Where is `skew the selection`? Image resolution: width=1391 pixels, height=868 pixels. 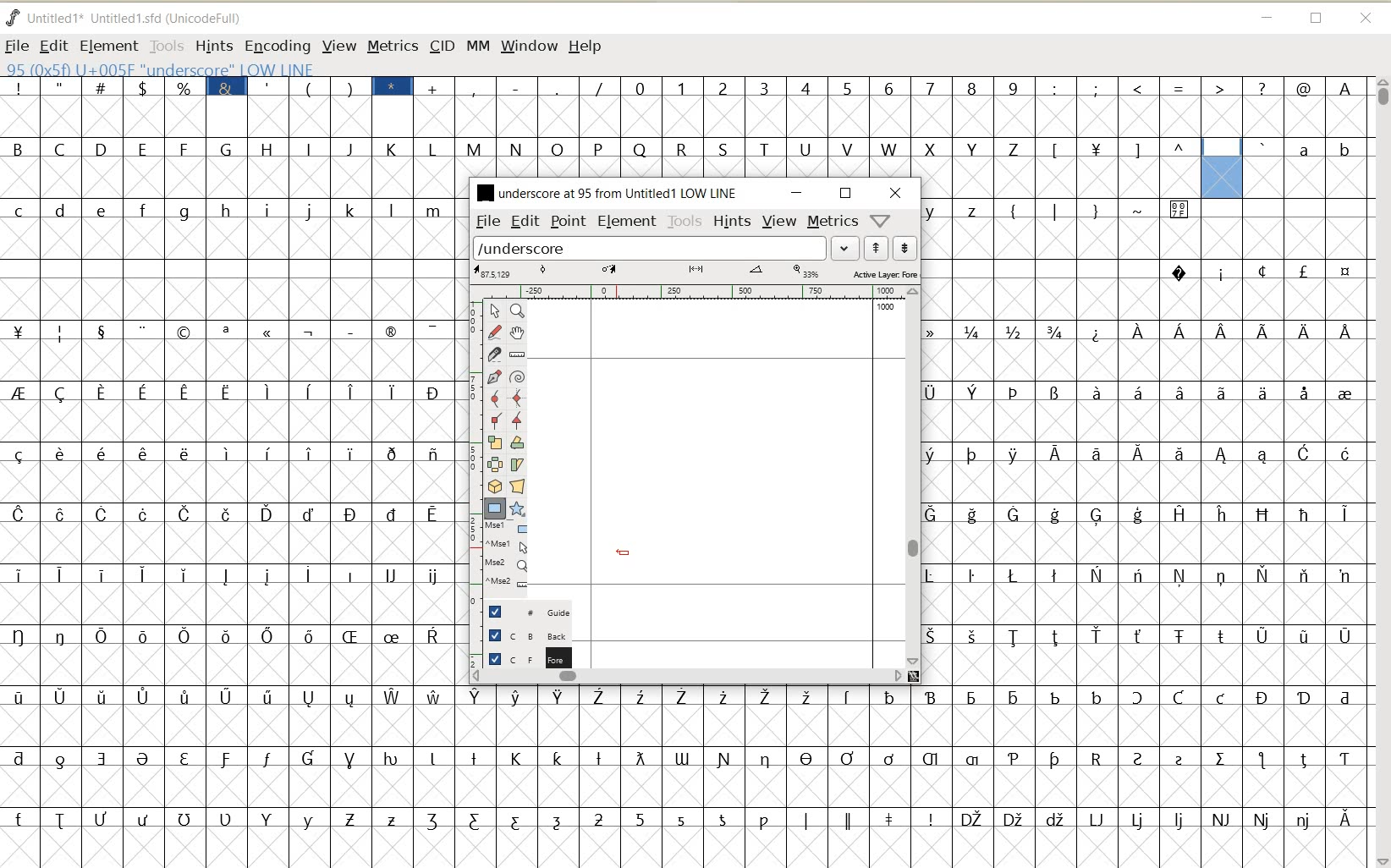 skew the selection is located at coordinates (516, 465).